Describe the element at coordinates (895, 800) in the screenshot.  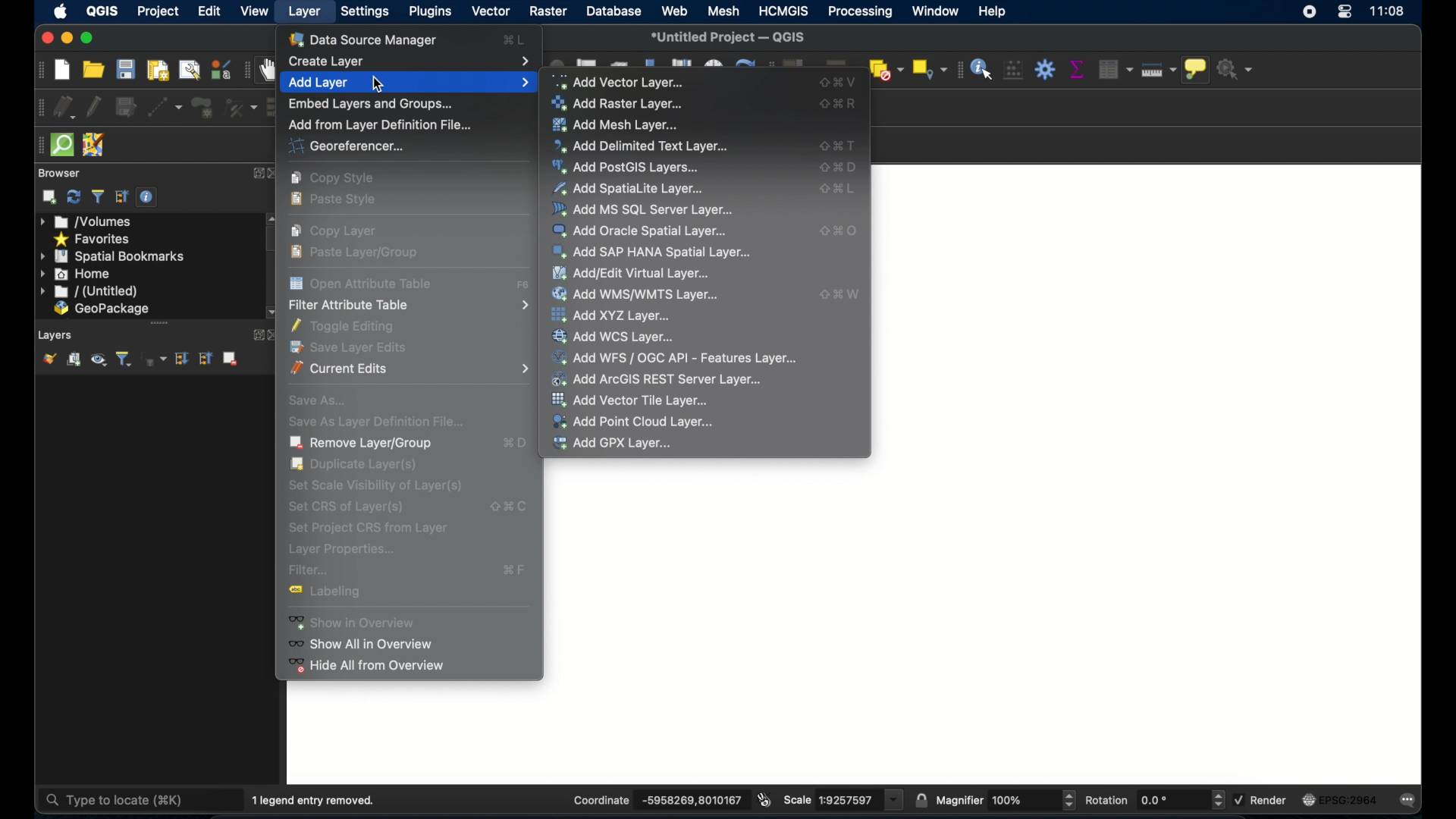
I see `dropdown` at that location.